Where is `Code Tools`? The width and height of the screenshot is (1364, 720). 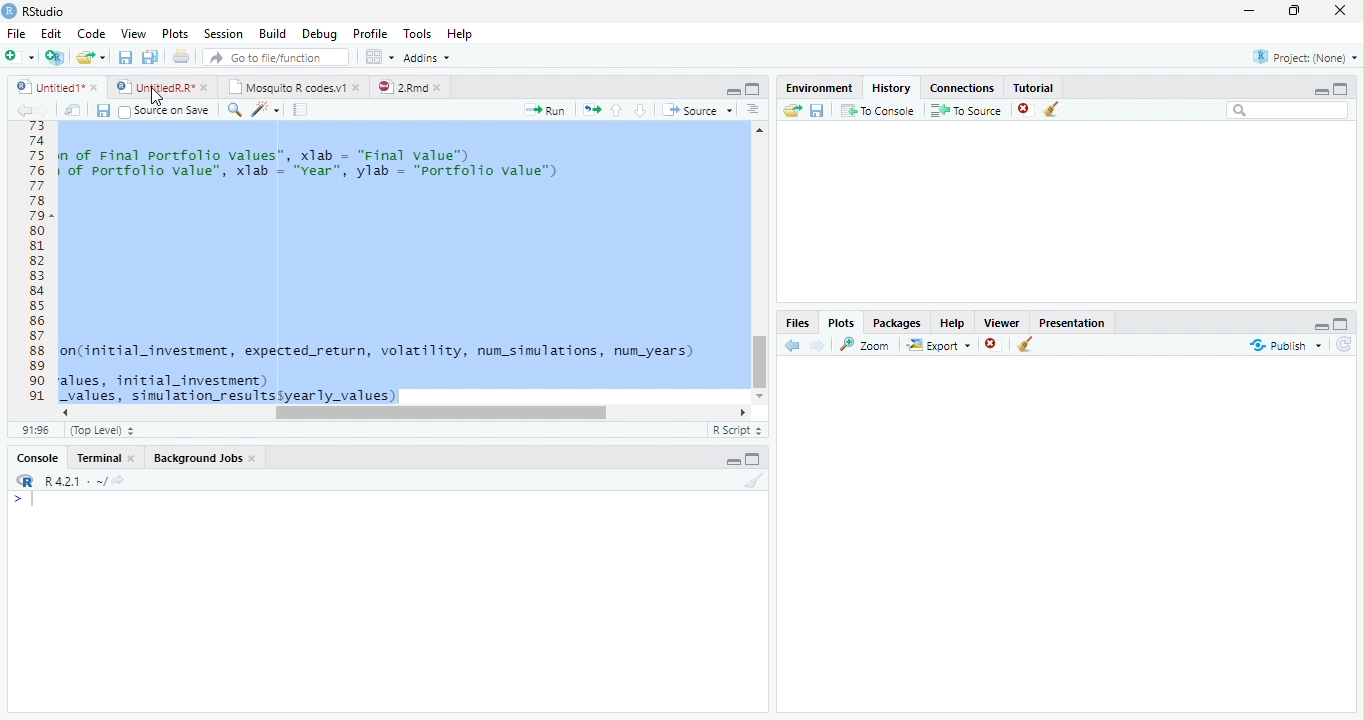 Code Tools is located at coordinates (266, 110).